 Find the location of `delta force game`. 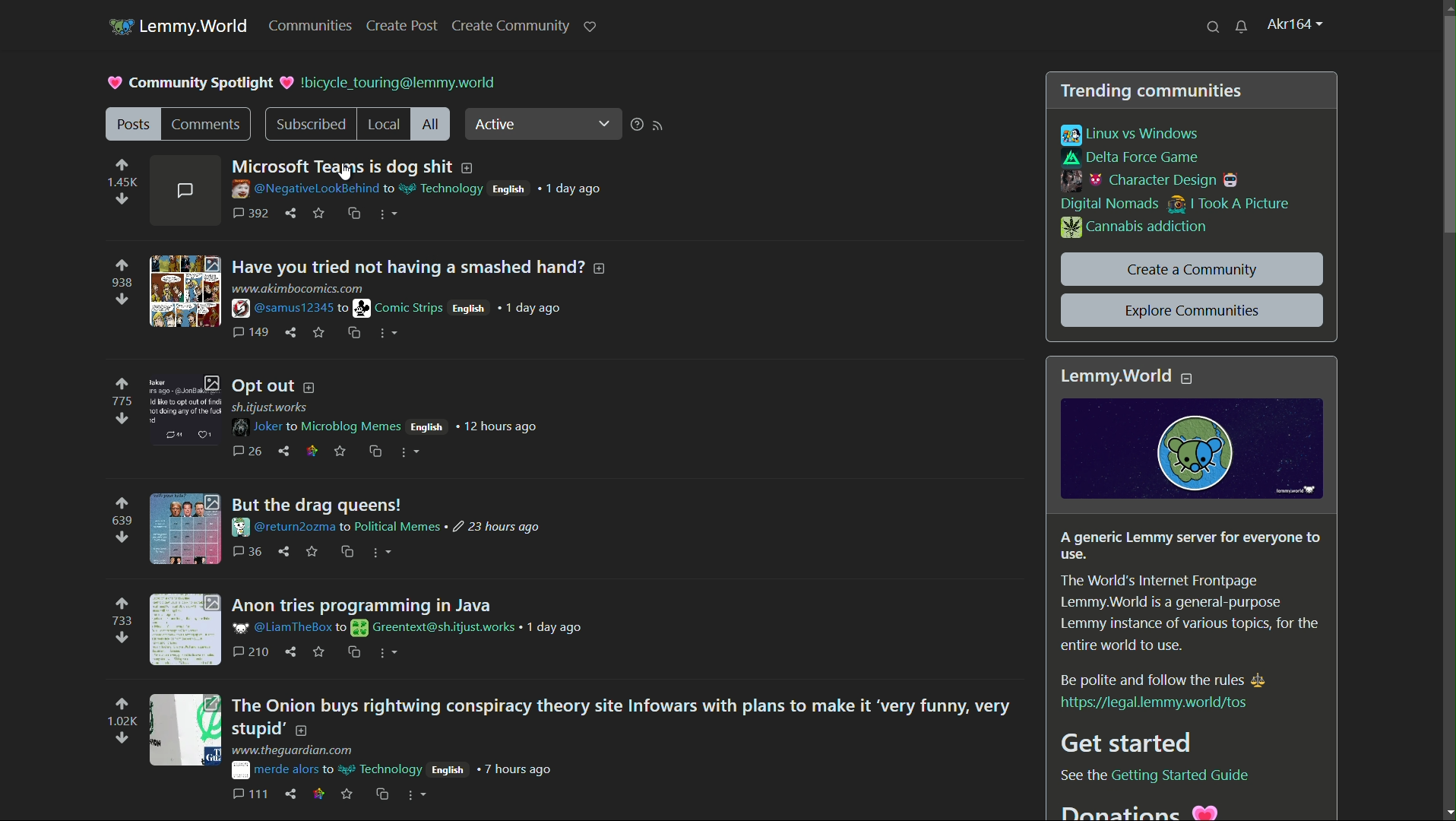

delta force game is located at coordinates (1134, 158).